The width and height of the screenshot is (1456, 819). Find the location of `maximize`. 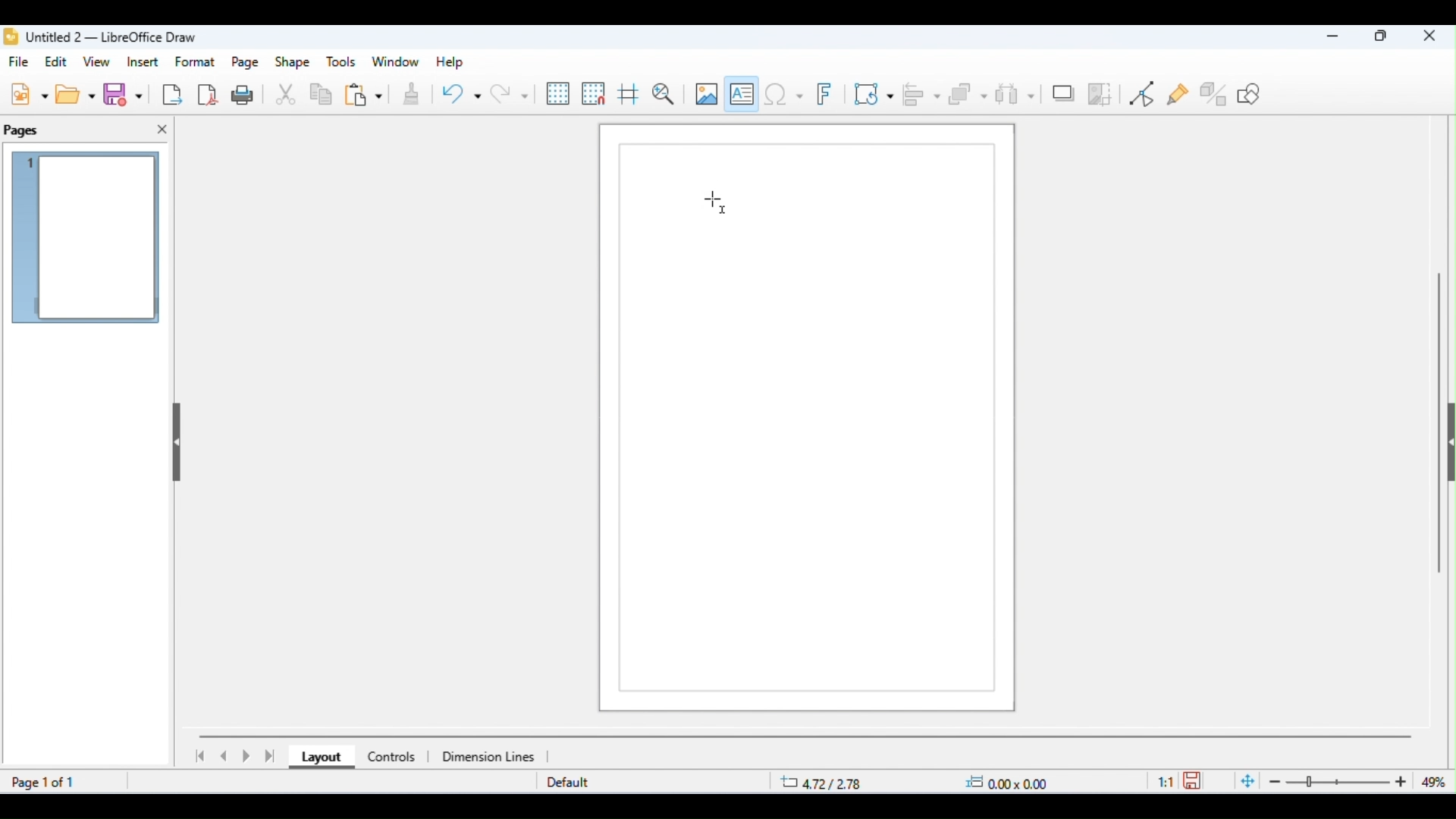

maximize is located at coordinates (1382, 38).